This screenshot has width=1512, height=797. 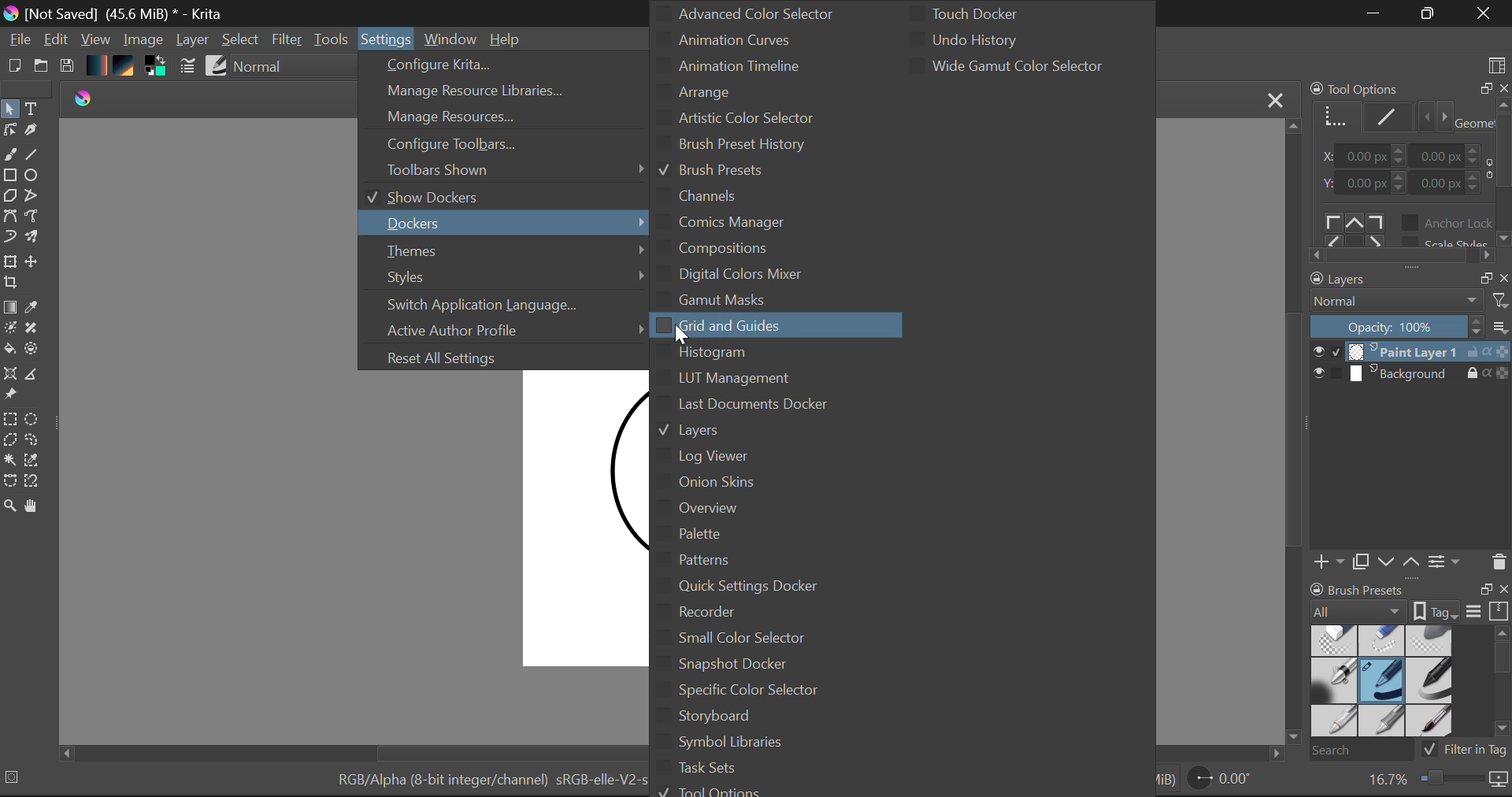 What do you see at coordinates (36, 352) in the screenshot?
I see `Enclose and Fill` at bounding box center [36, 352].